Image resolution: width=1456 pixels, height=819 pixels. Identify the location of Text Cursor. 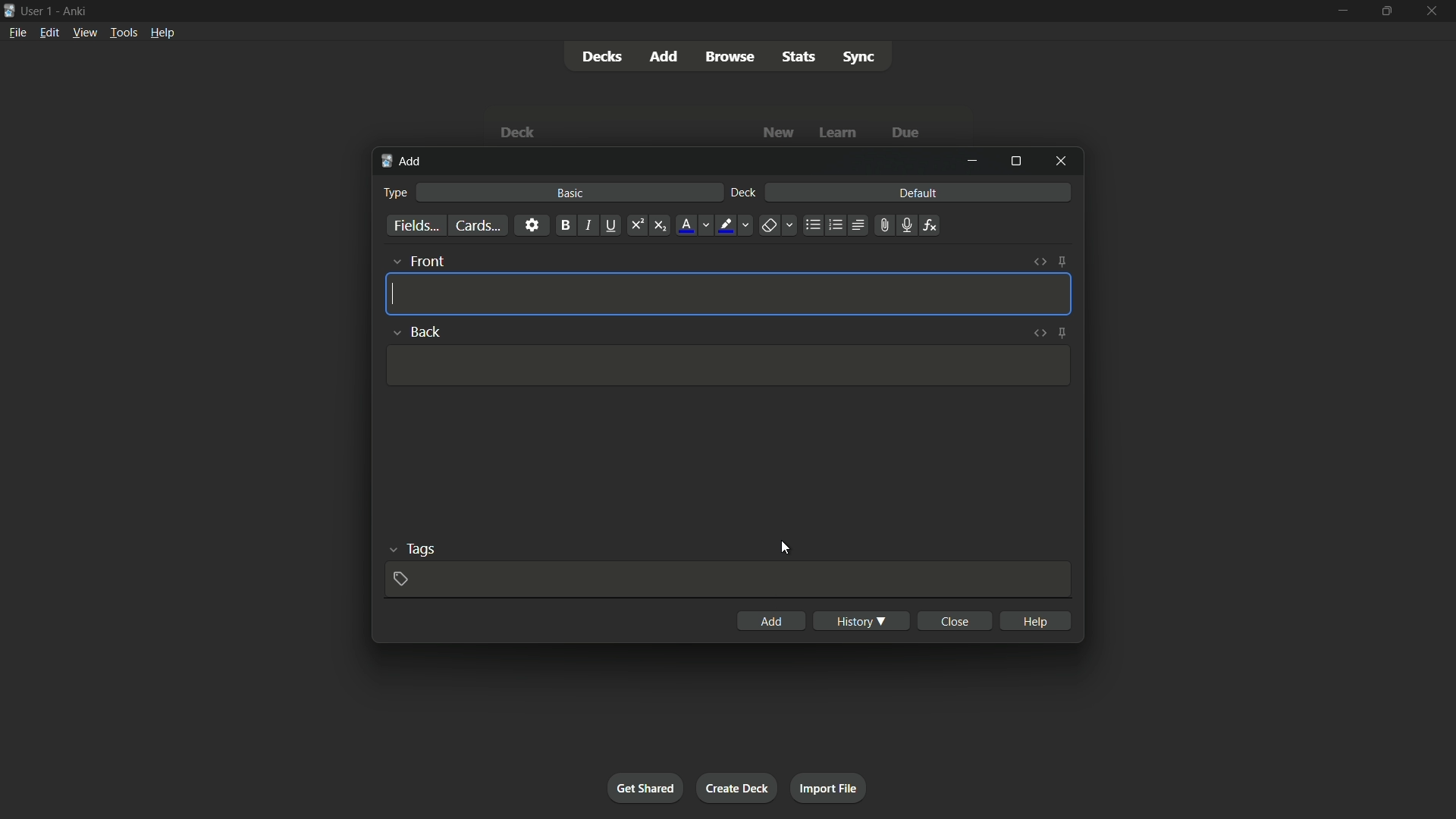
(396, 293).